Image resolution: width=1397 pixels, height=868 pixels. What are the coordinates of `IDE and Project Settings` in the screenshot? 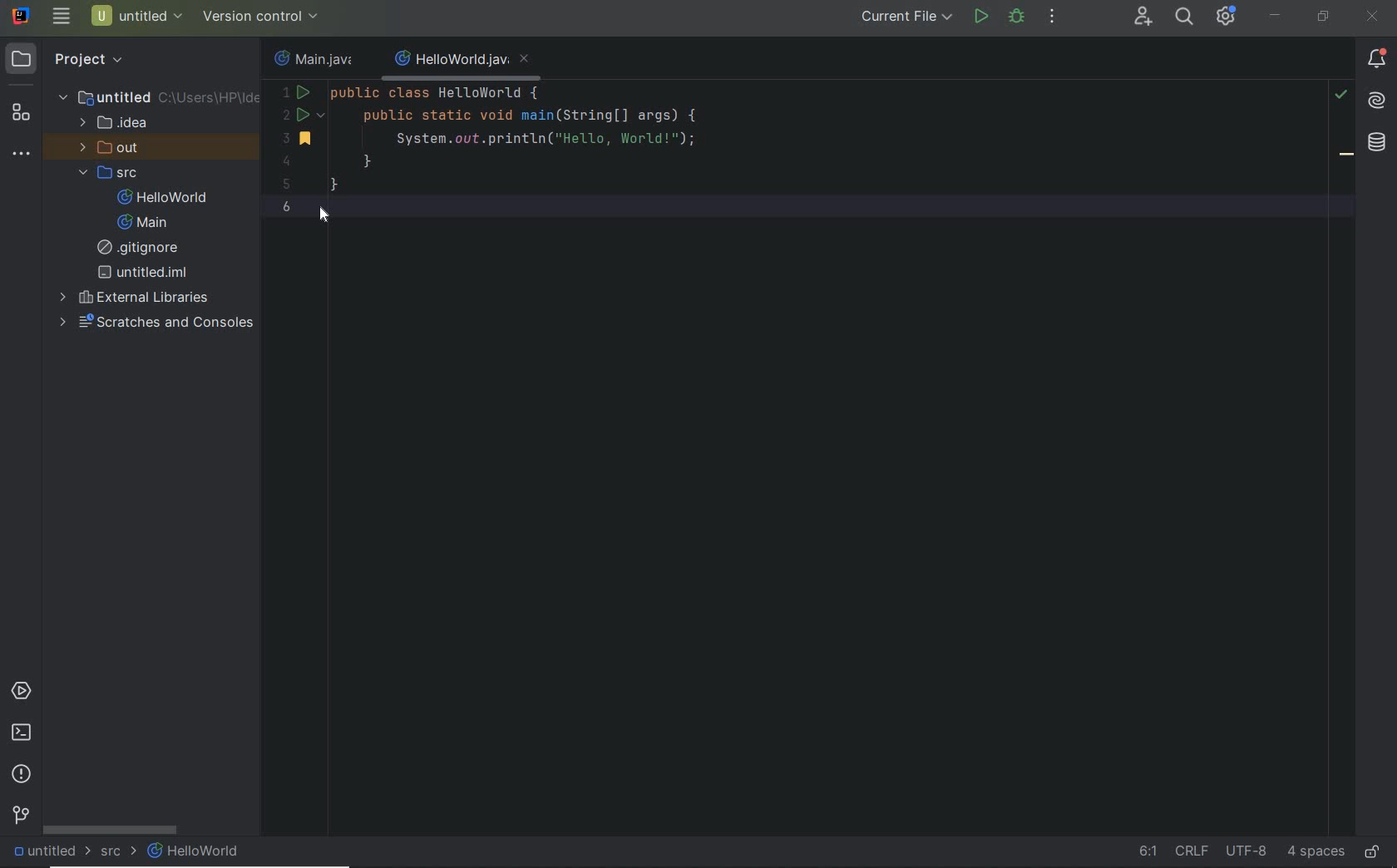 It's located at (1224, 16).